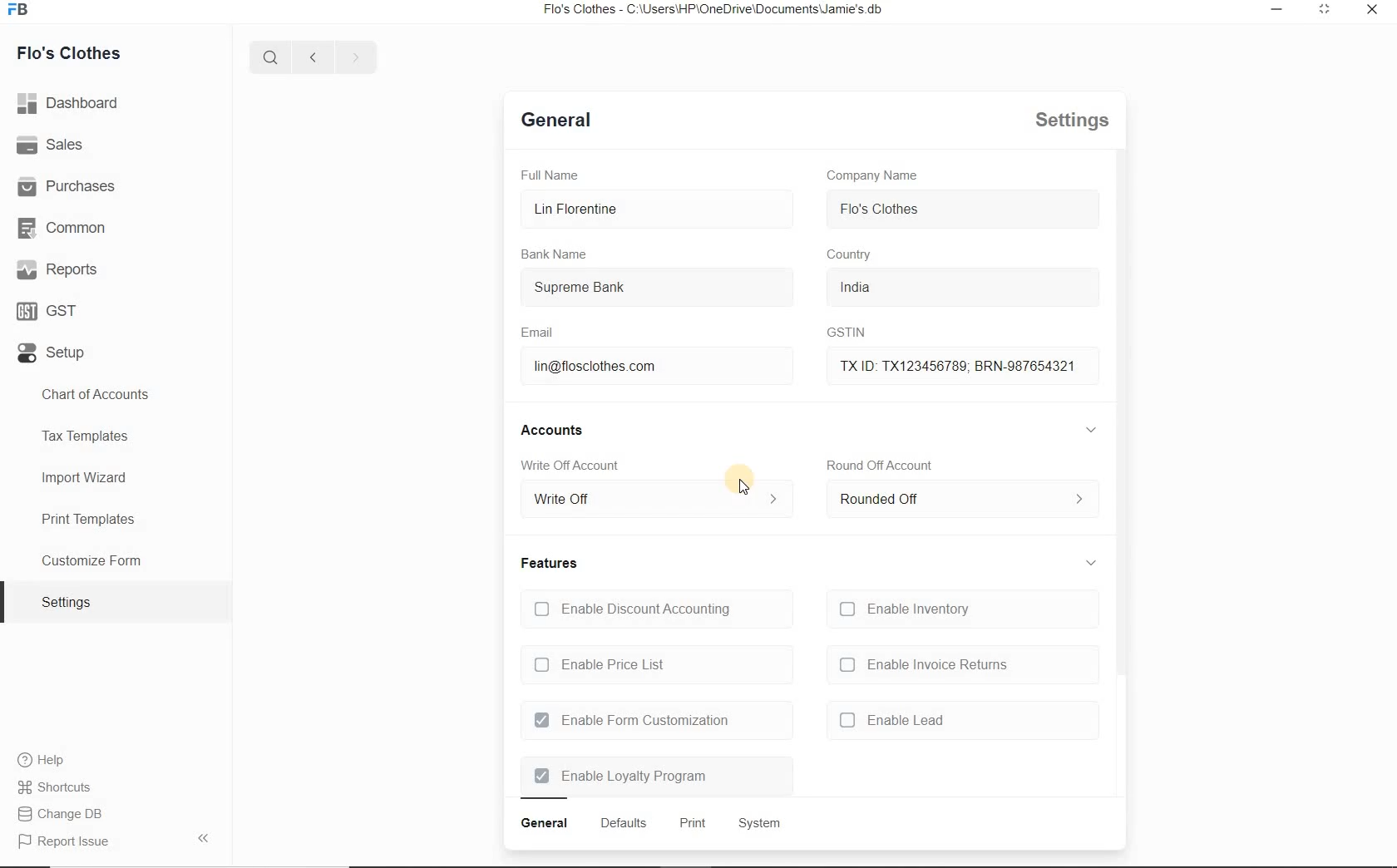 This screenshot has height=868, width=1397. Describe the element at coordinates (841, 333) in the screenshot. I see `GSTIN` at that location.